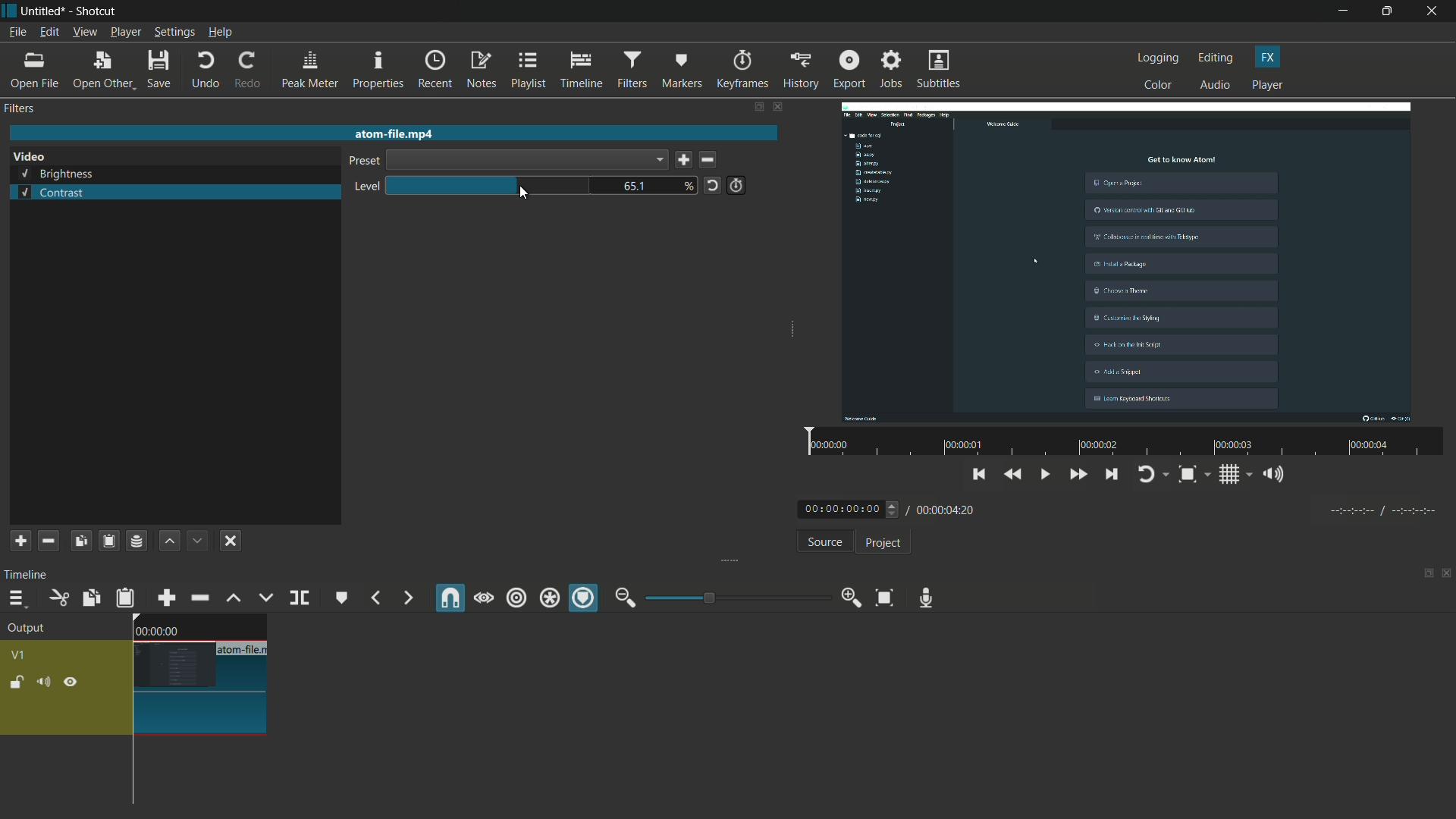 Image resolution: width=1456 pixels, height=819 pixels. I want to click on delete, so click(711, 161).